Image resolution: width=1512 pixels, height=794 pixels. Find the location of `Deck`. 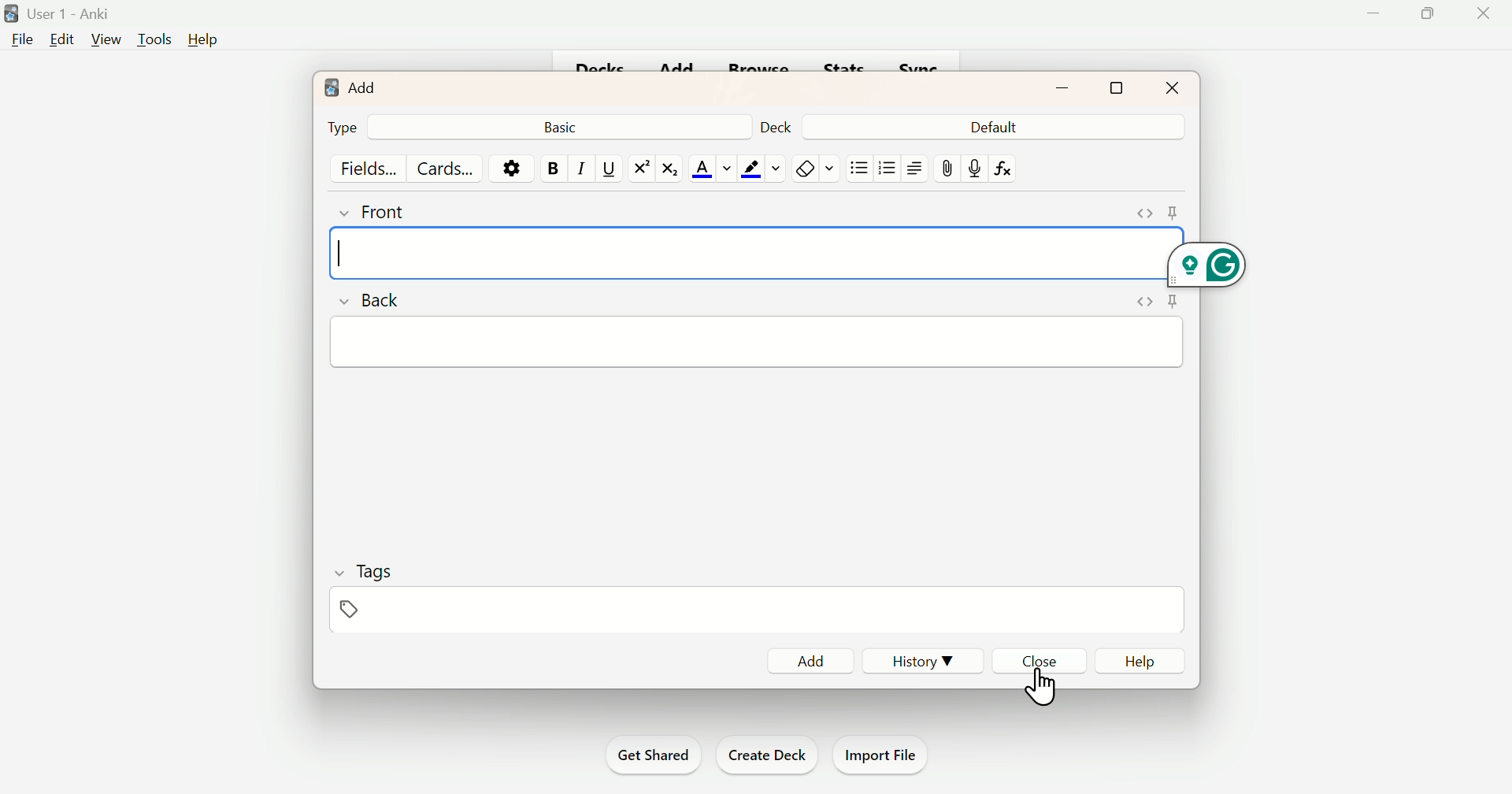

Deck is located at coordinates (774, 128).